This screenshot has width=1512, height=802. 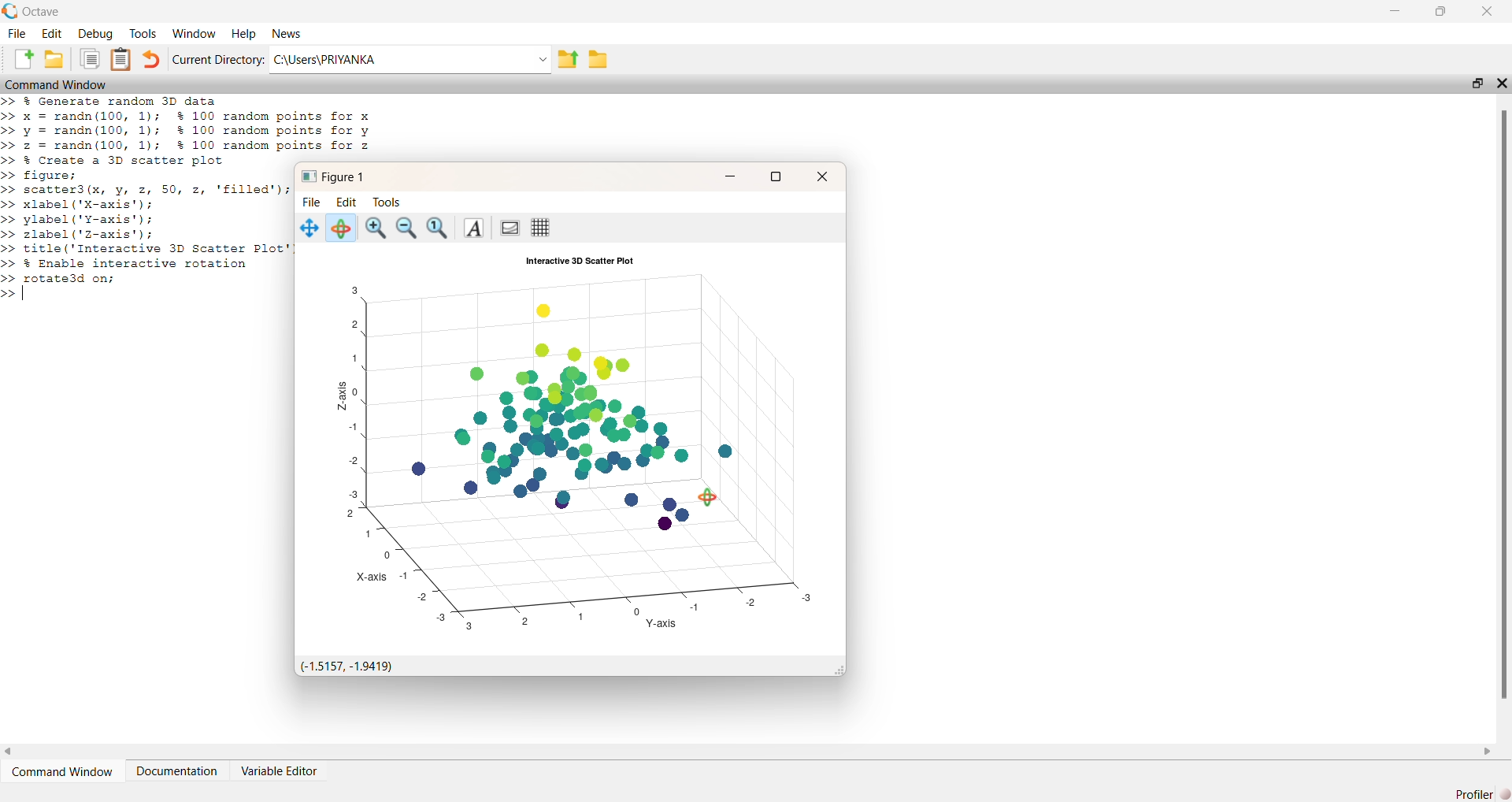 I want to click on minimize, so click(x=729, y=176).